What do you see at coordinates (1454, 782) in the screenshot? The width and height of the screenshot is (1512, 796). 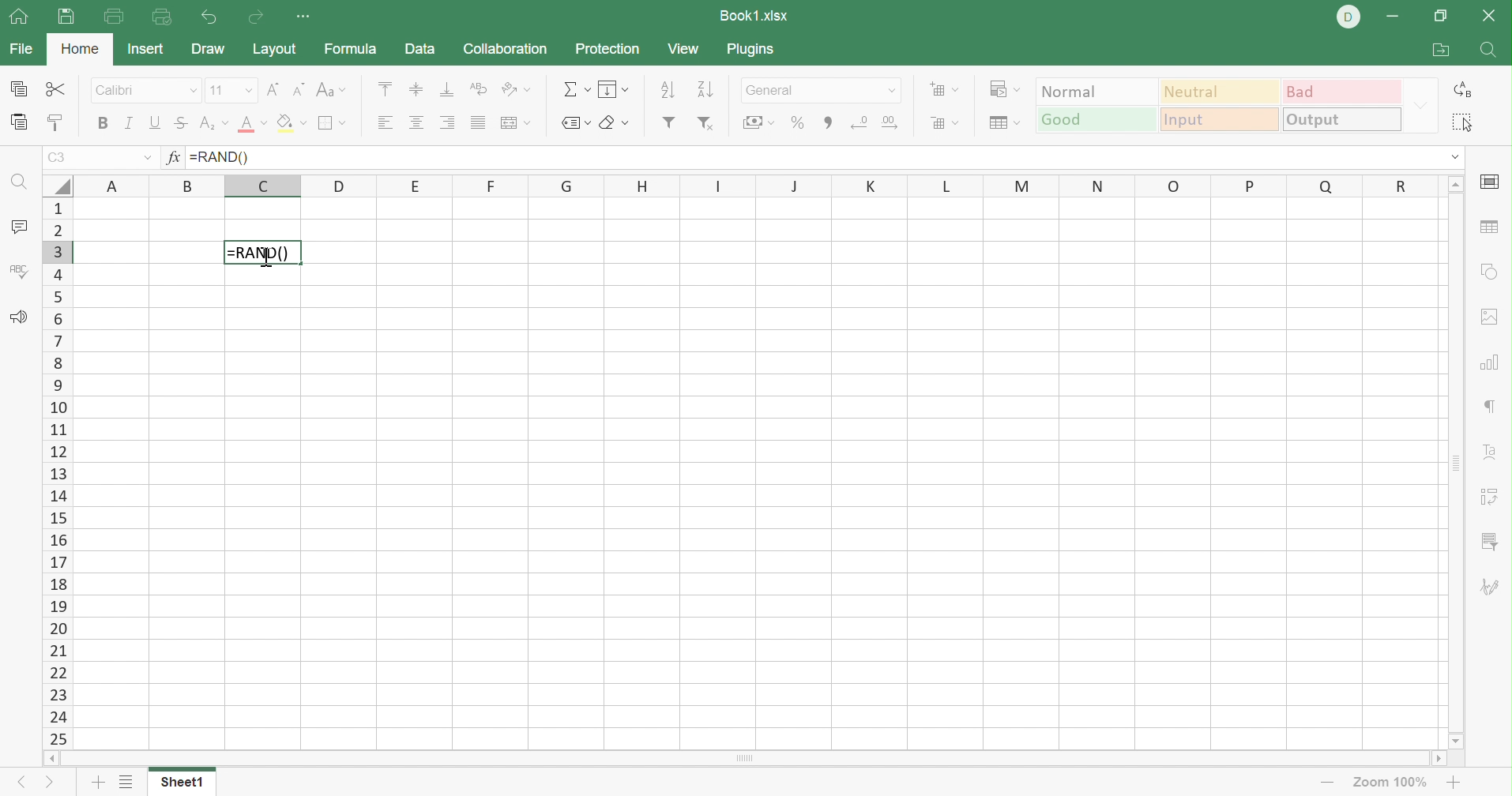 I see `Zoom in` at bounding box center [1454, 782].